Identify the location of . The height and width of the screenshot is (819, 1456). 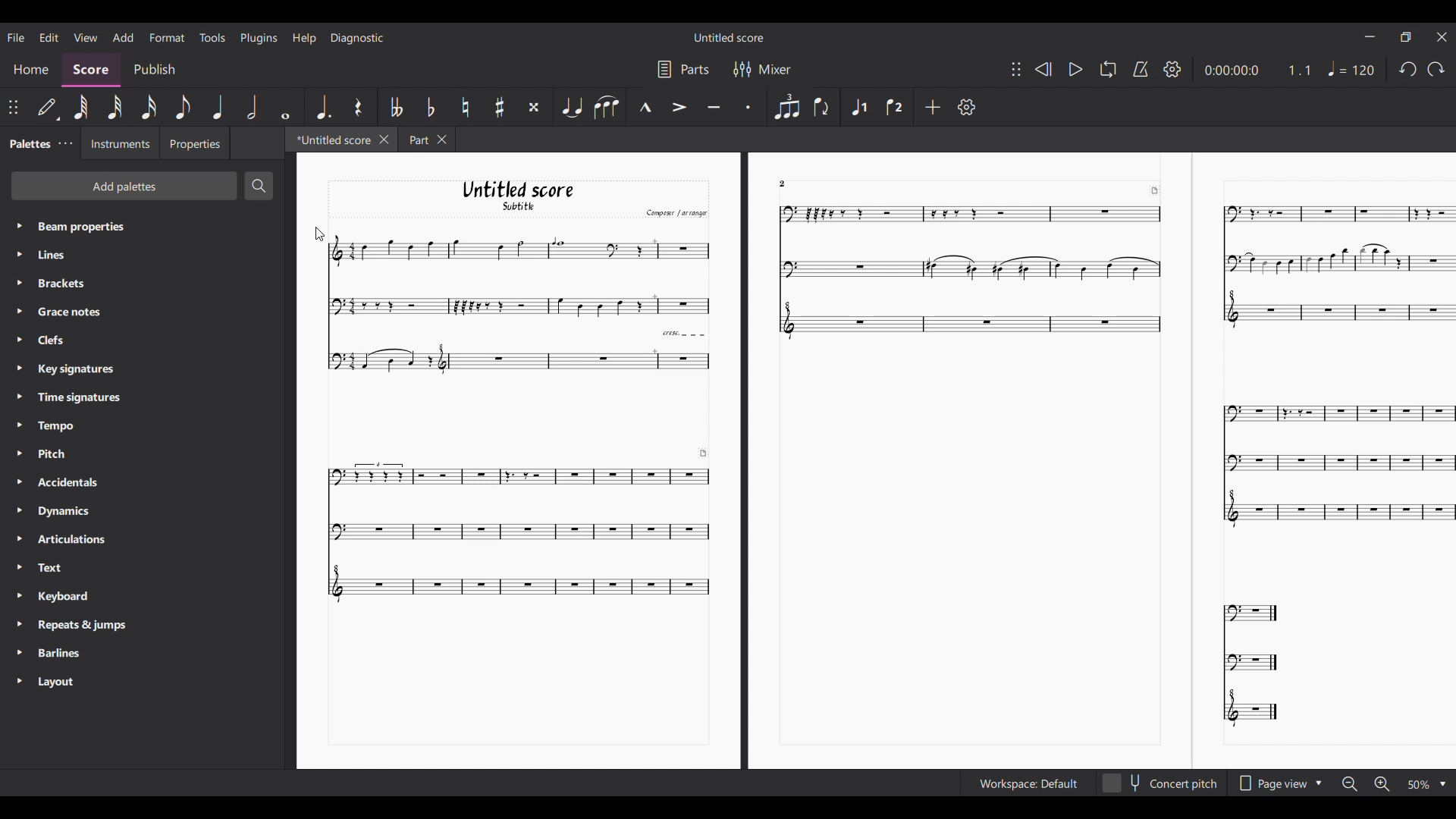
(17, 512).